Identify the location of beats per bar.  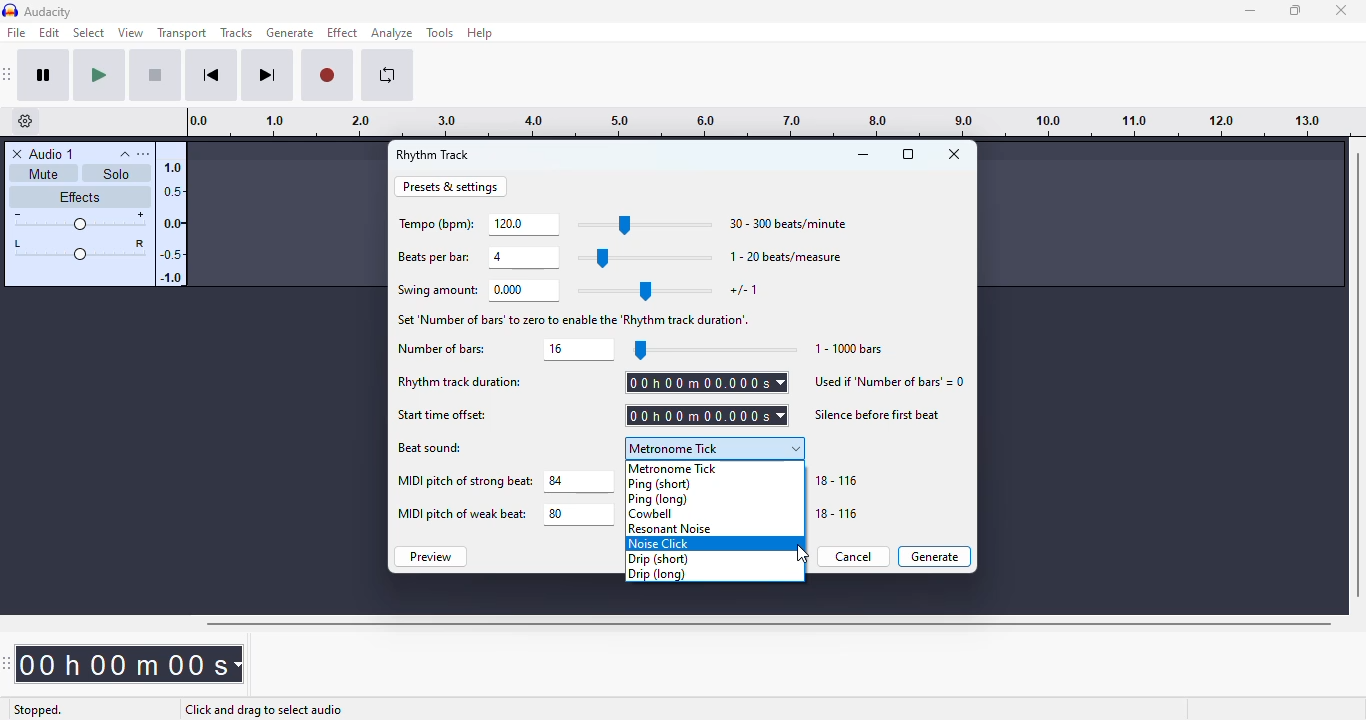
(435, 257).